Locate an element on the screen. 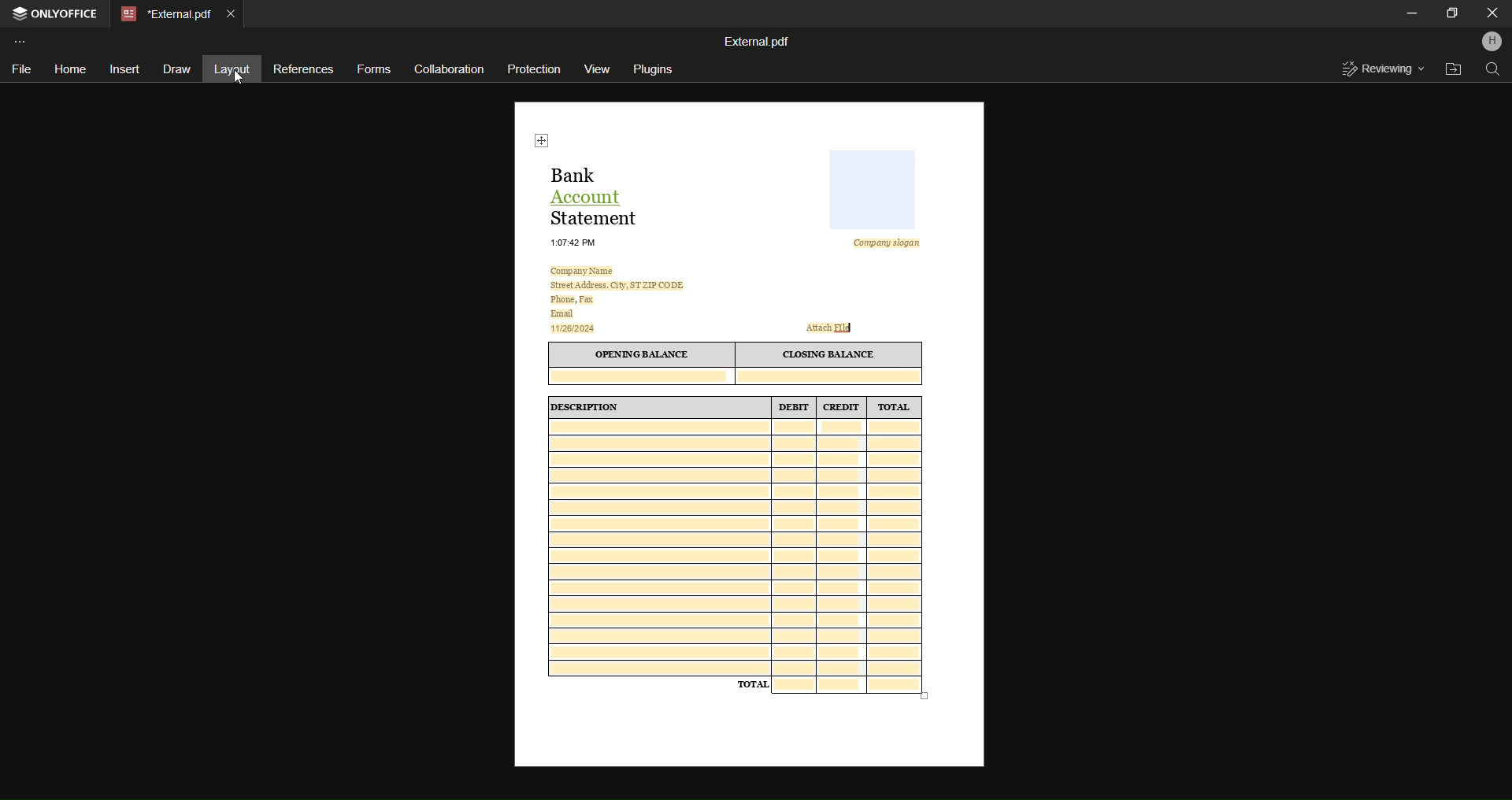  Plugins is located at coordinates (659, 70).